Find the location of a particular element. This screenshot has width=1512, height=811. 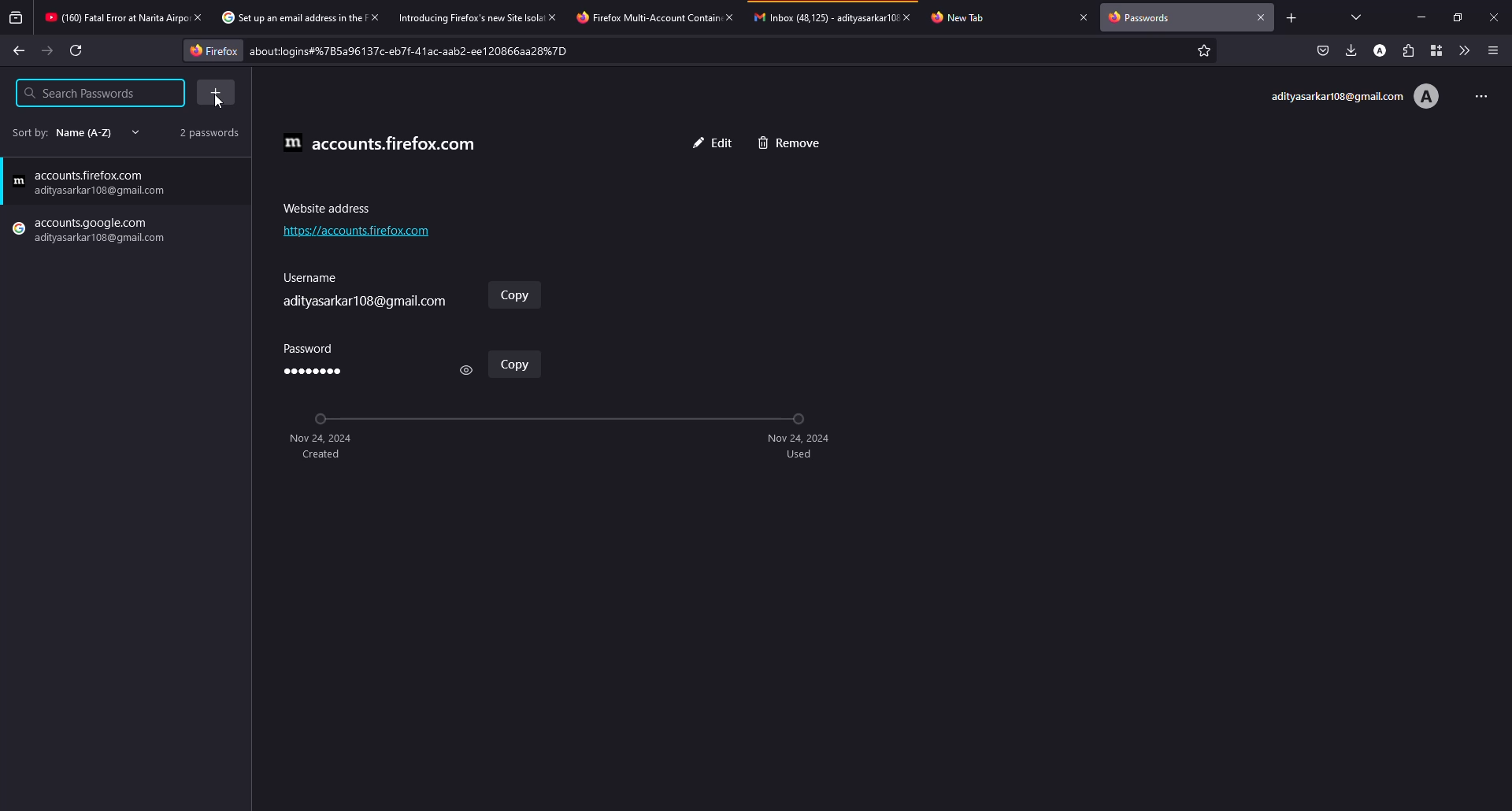

extensions is located at coordinates (1407, 50).